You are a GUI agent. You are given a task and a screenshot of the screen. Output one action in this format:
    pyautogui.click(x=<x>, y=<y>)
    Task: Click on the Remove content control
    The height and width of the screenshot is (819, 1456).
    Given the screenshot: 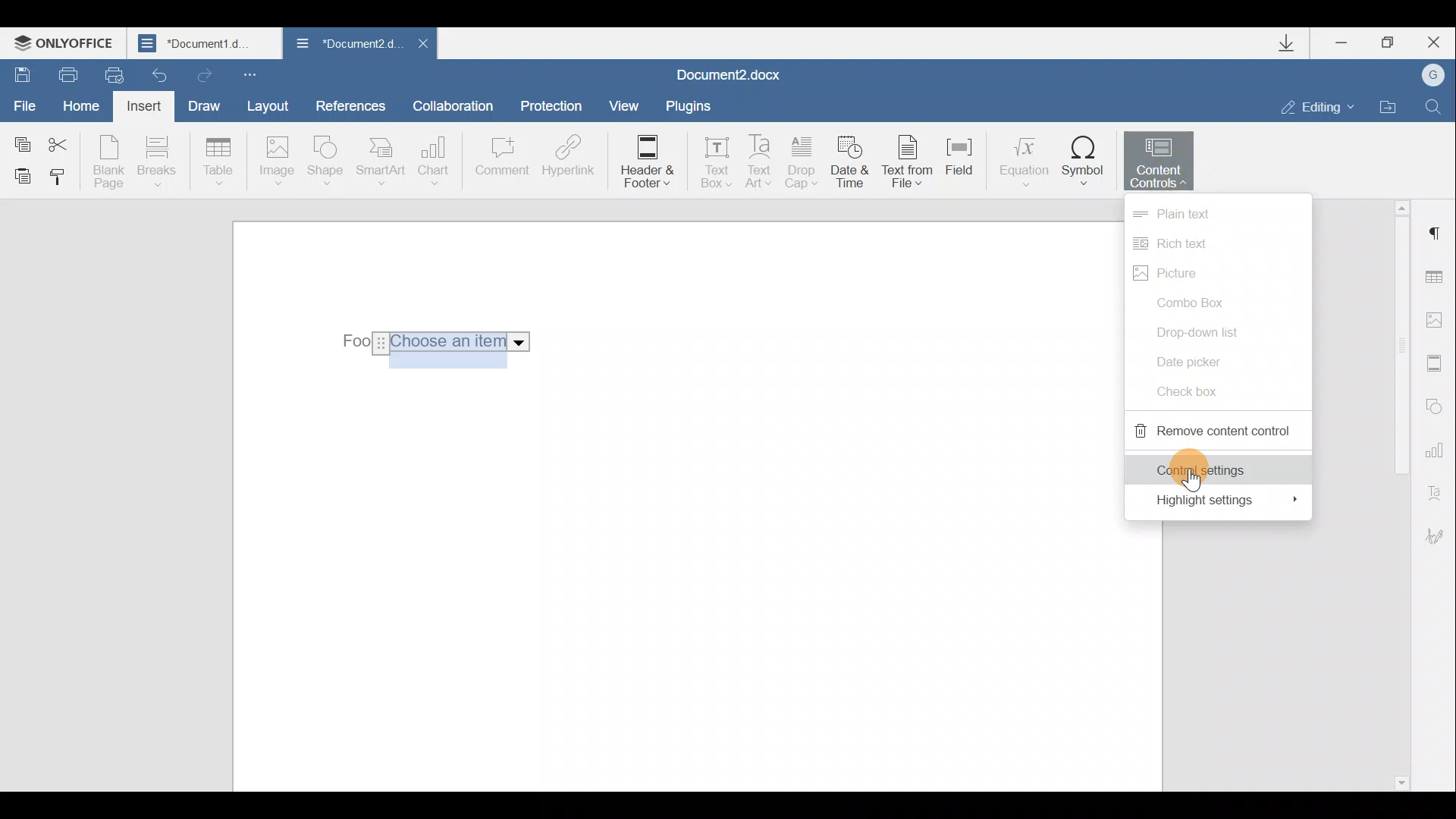 What is the action you would take?
    pyautogui.click(x=1212, y=429)
    